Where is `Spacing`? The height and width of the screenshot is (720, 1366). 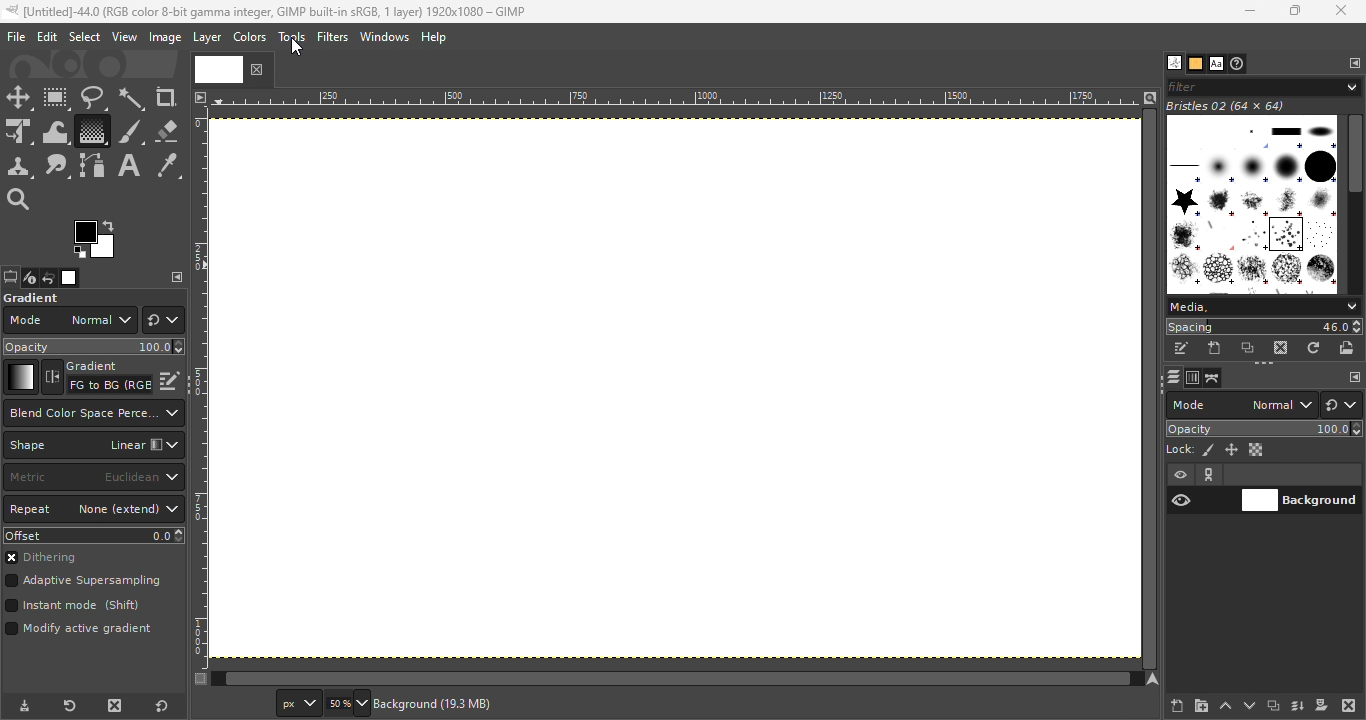 Spacing is located at coordinates (1264, 327).